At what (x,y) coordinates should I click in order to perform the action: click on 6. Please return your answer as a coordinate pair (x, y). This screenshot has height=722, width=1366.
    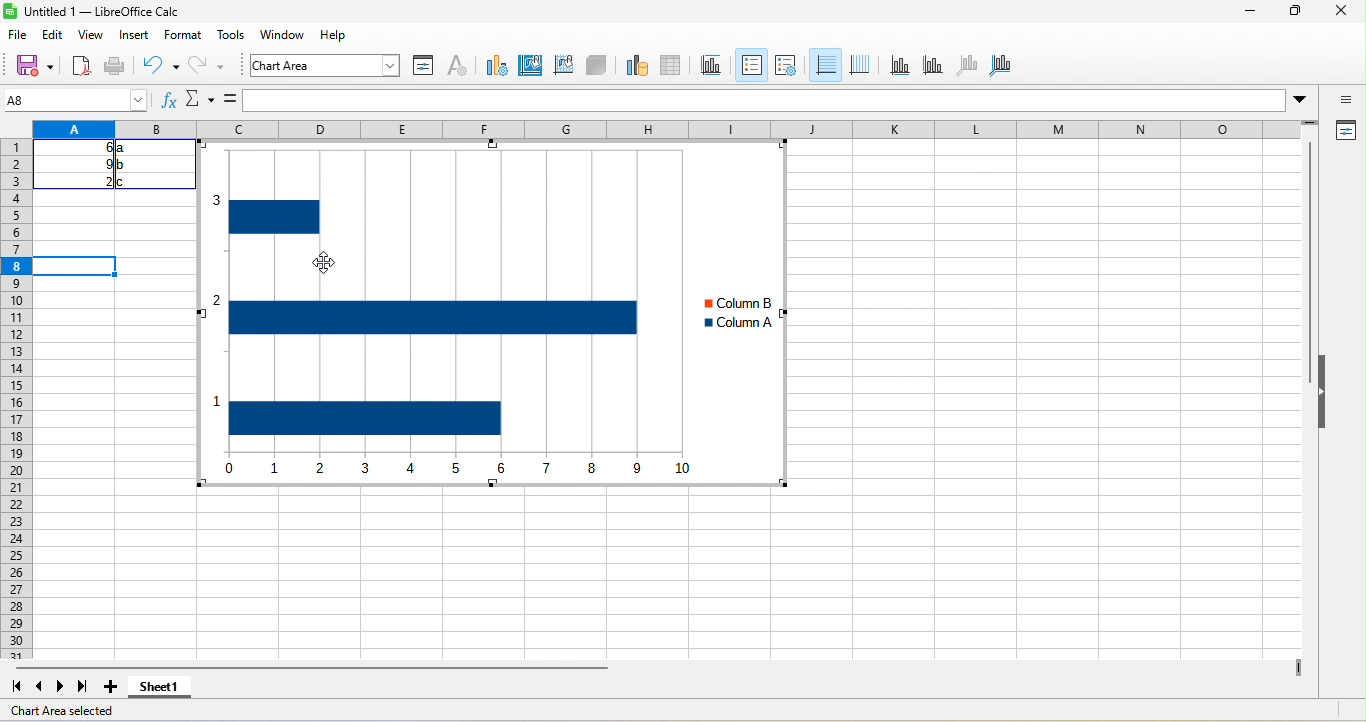
    Looking at the image, I should click on (94, 147).